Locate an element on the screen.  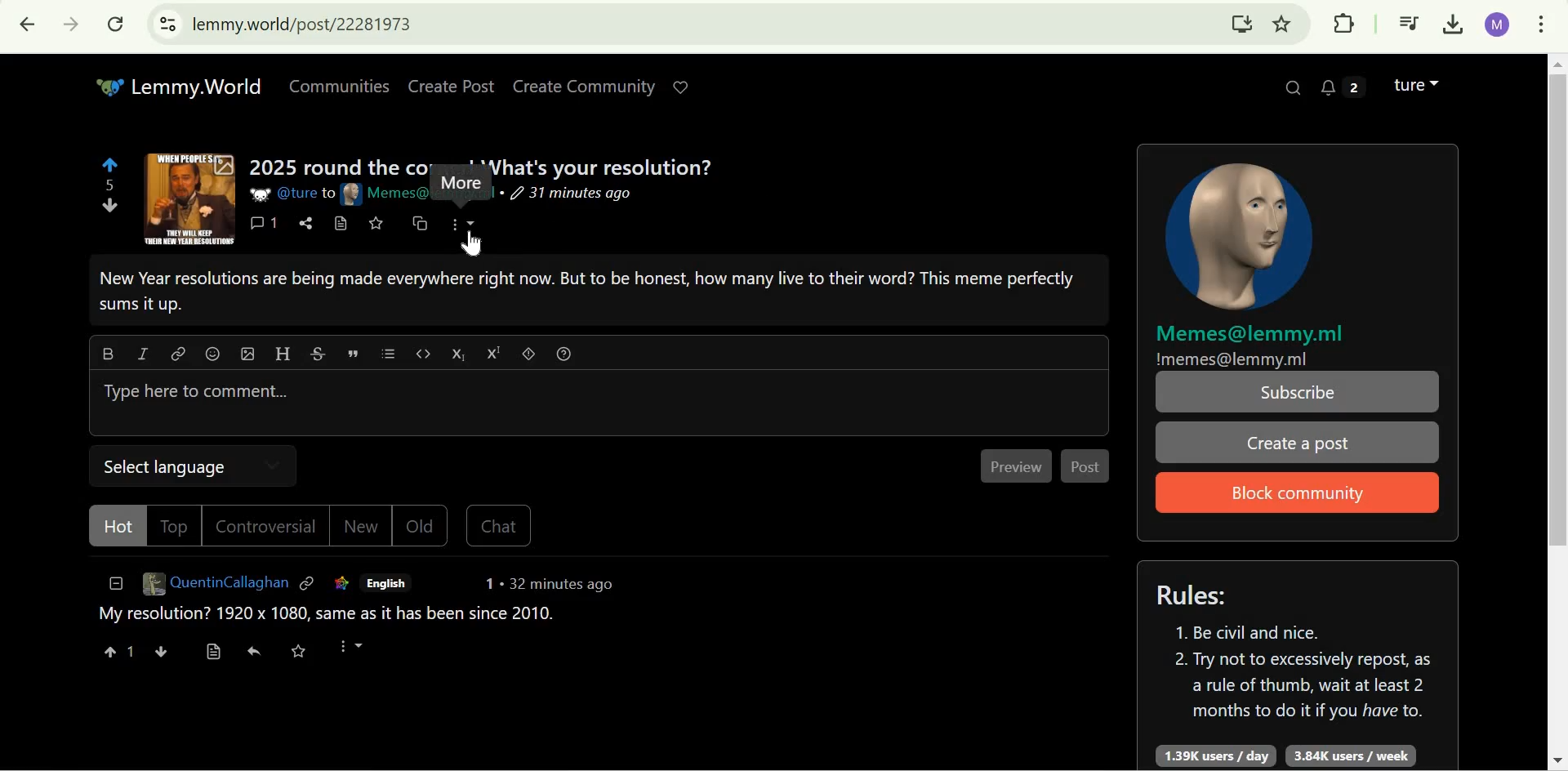
More is located at coordinates (353, 648).